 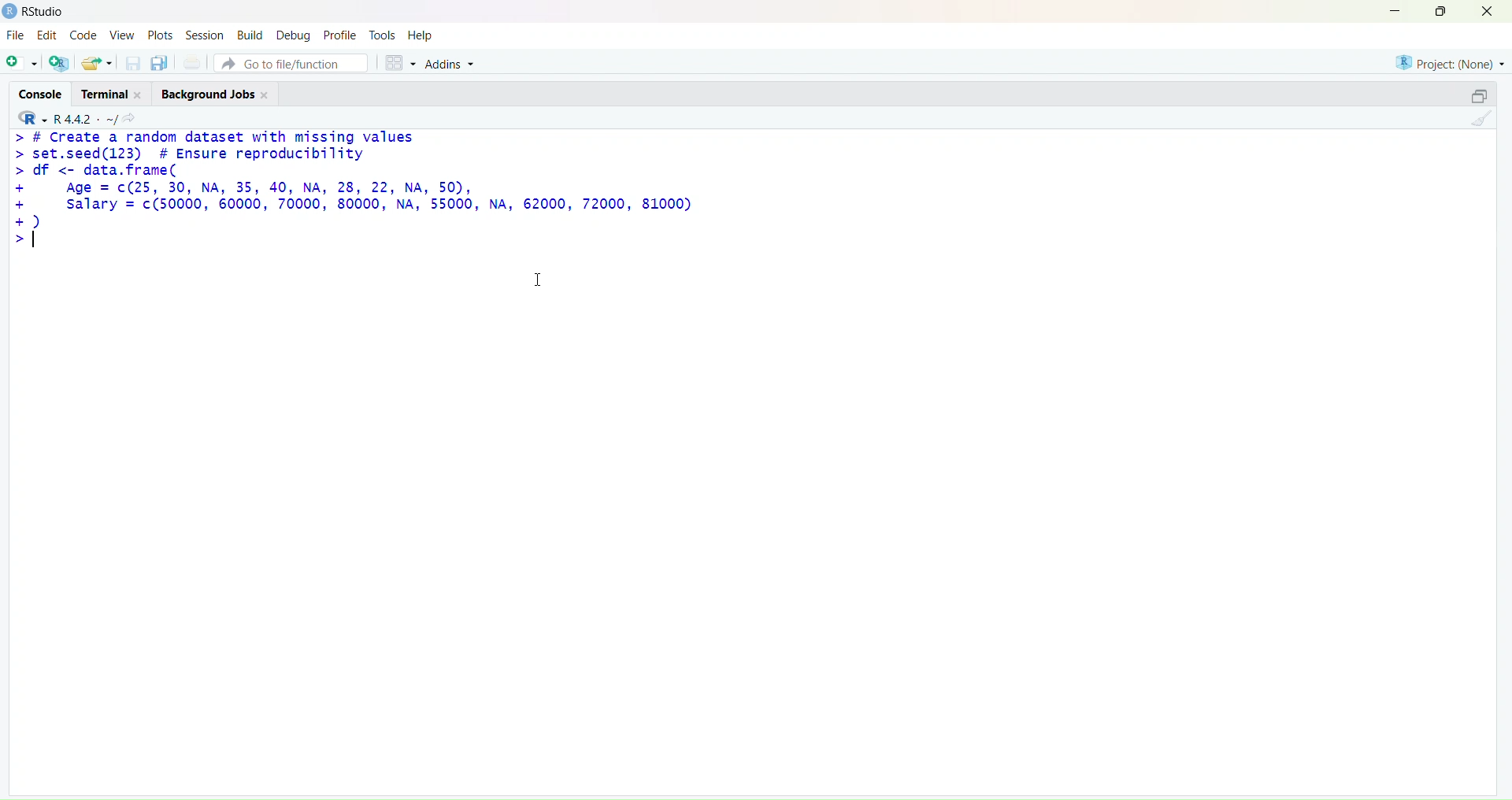 What do you see at coordinates (384, 35) in the screenshot?
I see `tools` at bounding box center [384, 35].